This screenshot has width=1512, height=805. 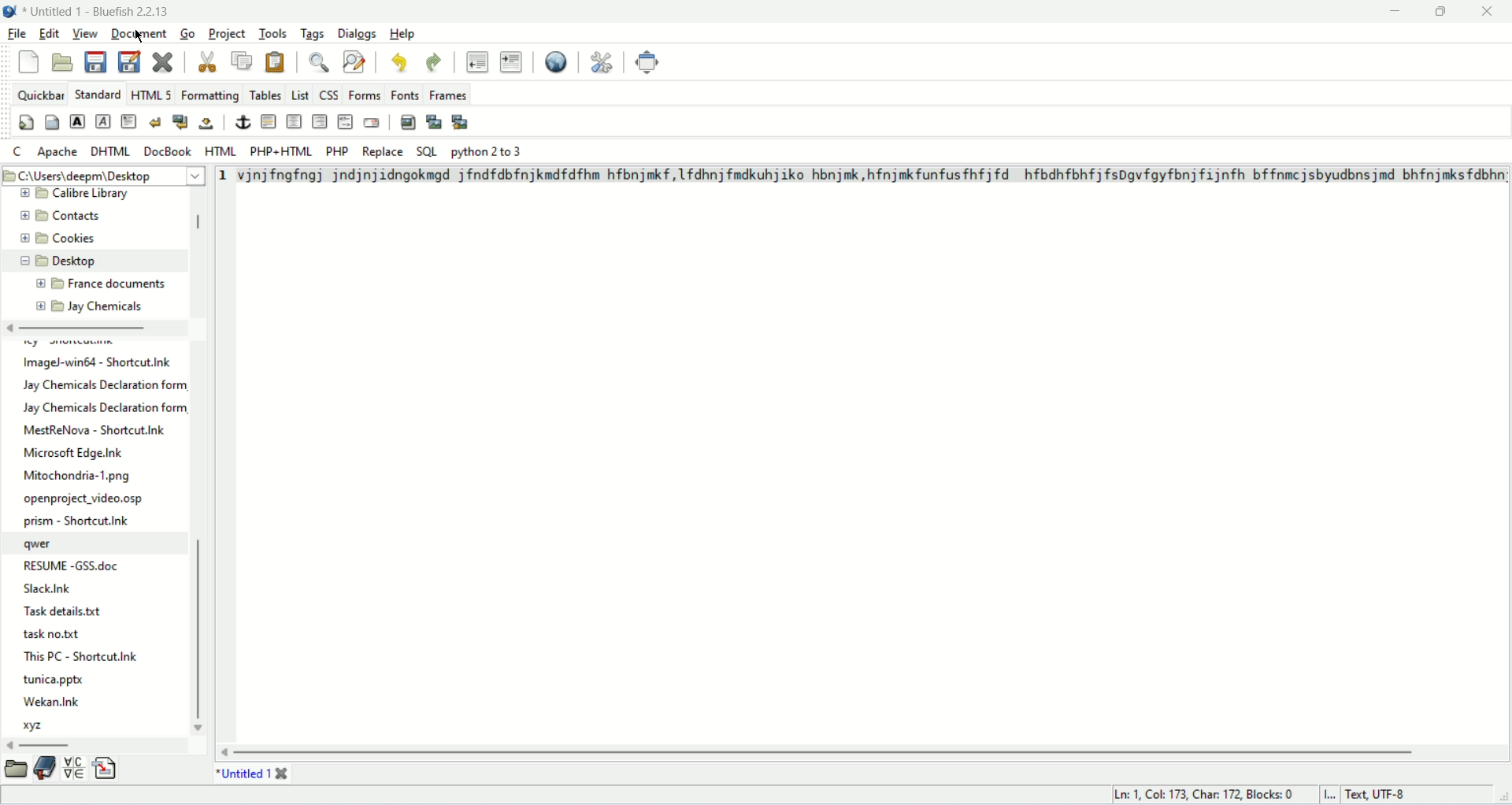 I want to click on openproject_video.osp, so click(x=86, y=499).